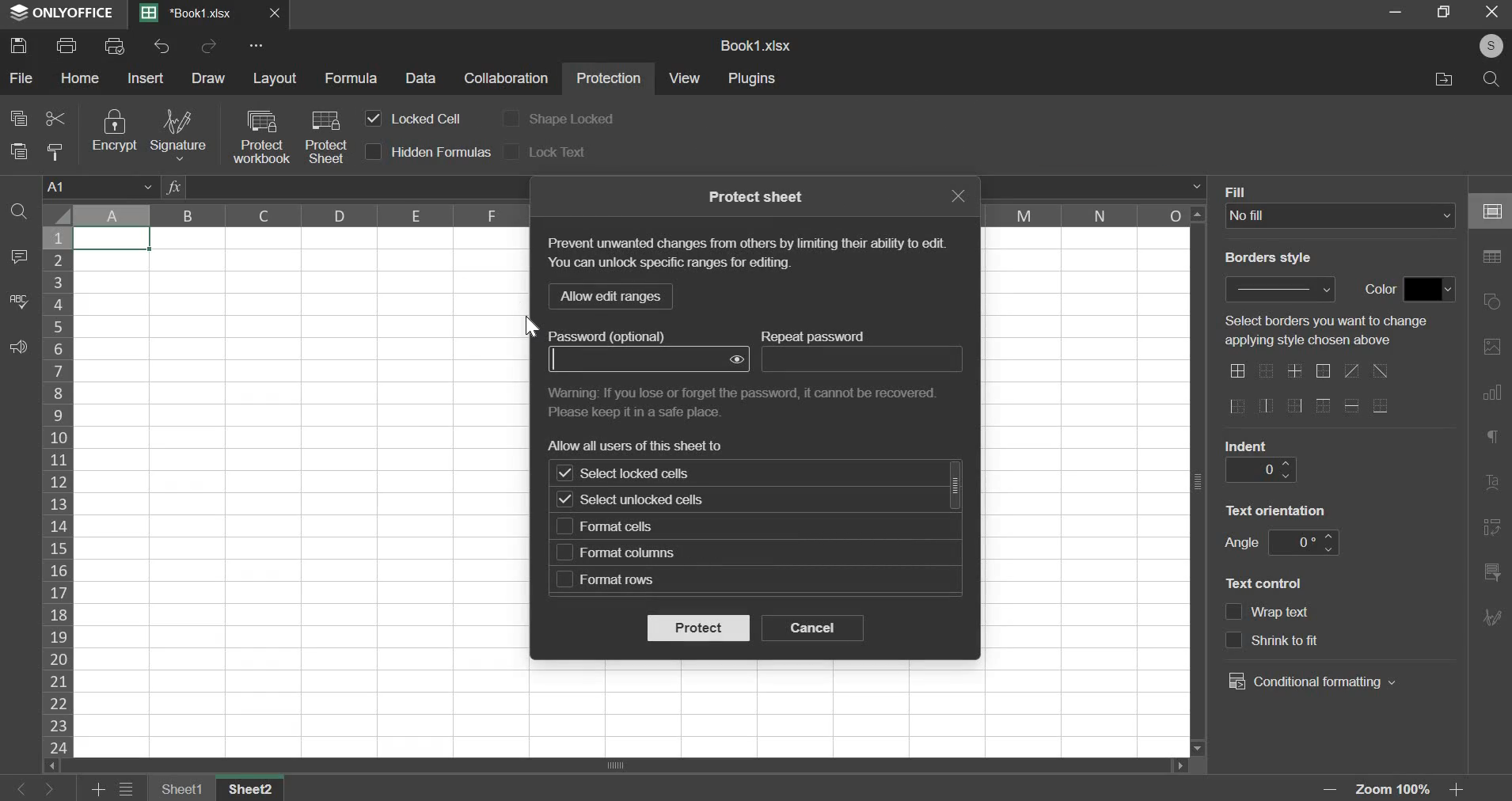 The image size is (1512, 801). I want to click on format columns, so click(629, 552).